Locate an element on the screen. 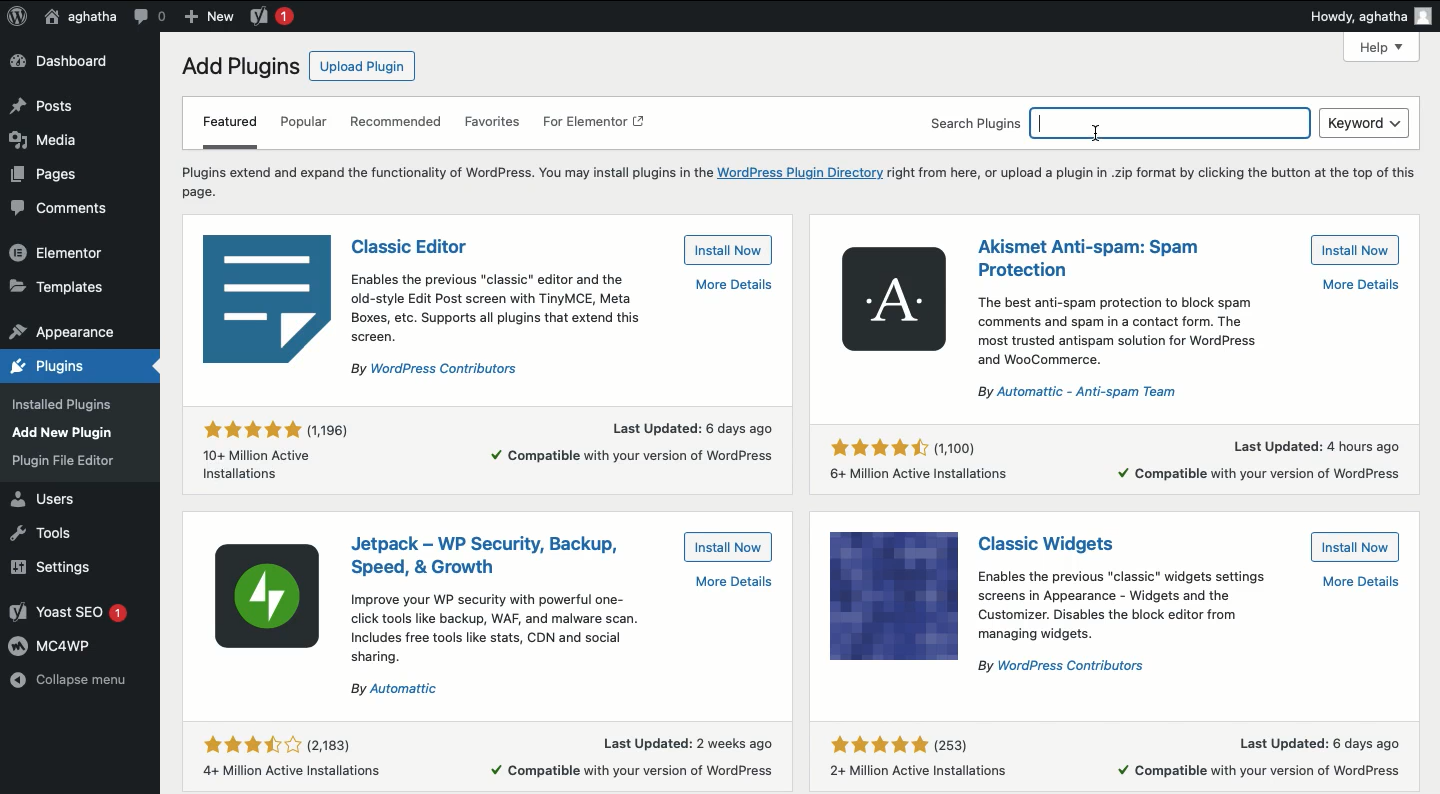 This screenshot has width=1440, height=794. ede de i (1,196) Last Updated: 6 days ago10+ Million Active + Compatible with your version of WordPress Installations. is located at coordinates (485, 447).